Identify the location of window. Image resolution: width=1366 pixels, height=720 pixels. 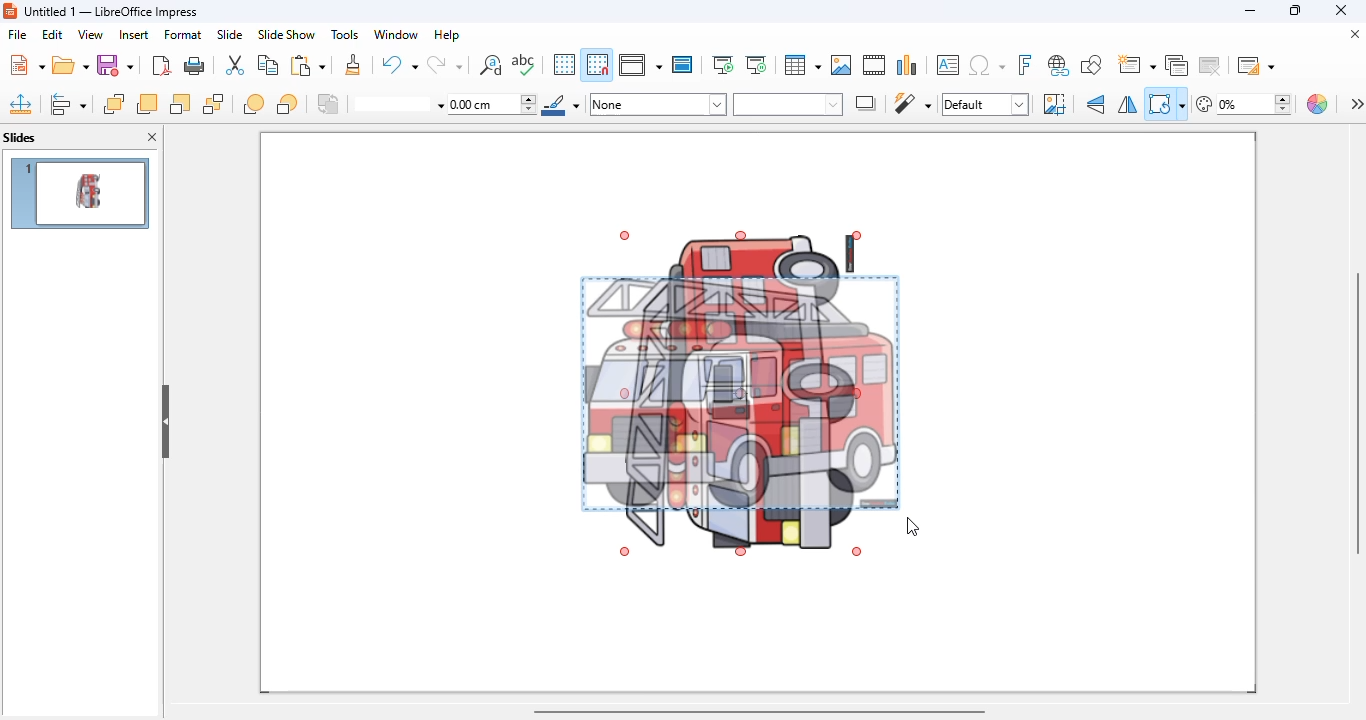
(397, 34).